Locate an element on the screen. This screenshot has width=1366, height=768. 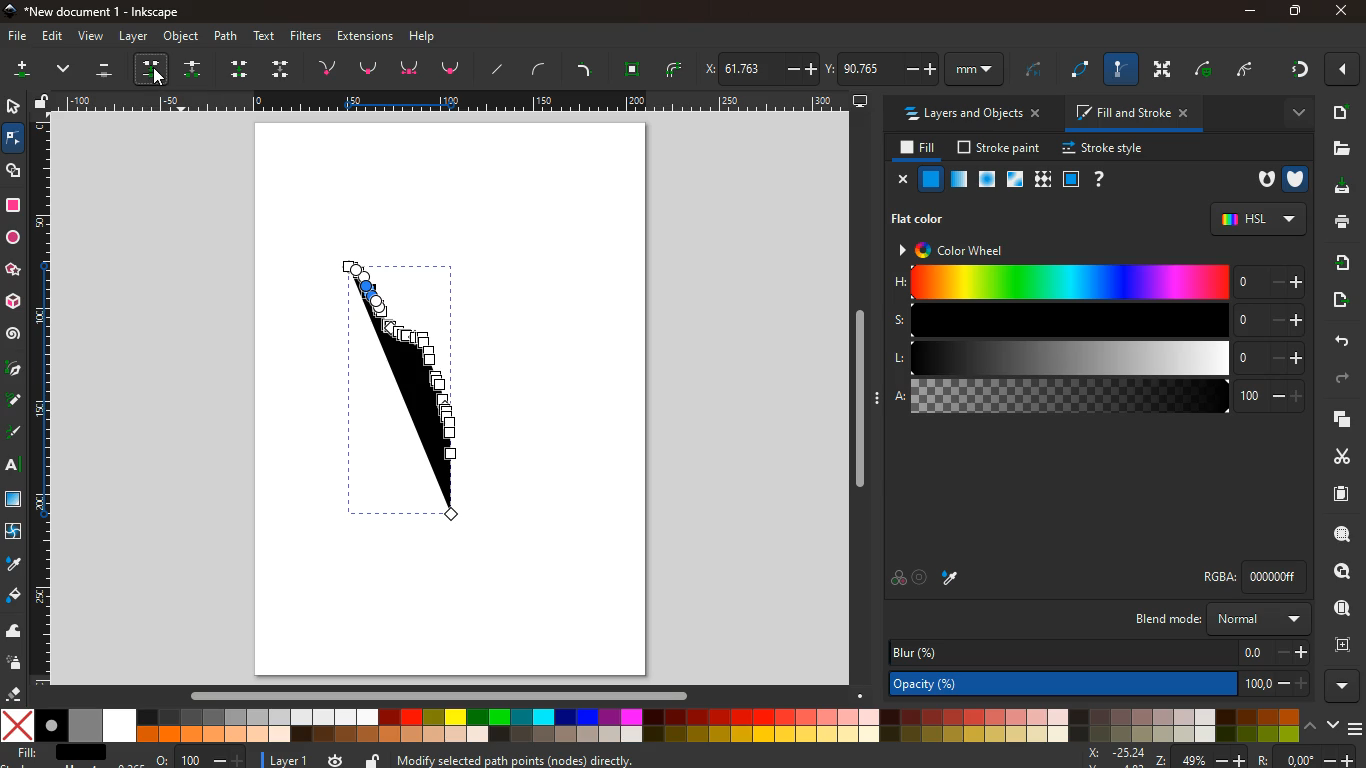
unlock is located at coordinates (374, 759).